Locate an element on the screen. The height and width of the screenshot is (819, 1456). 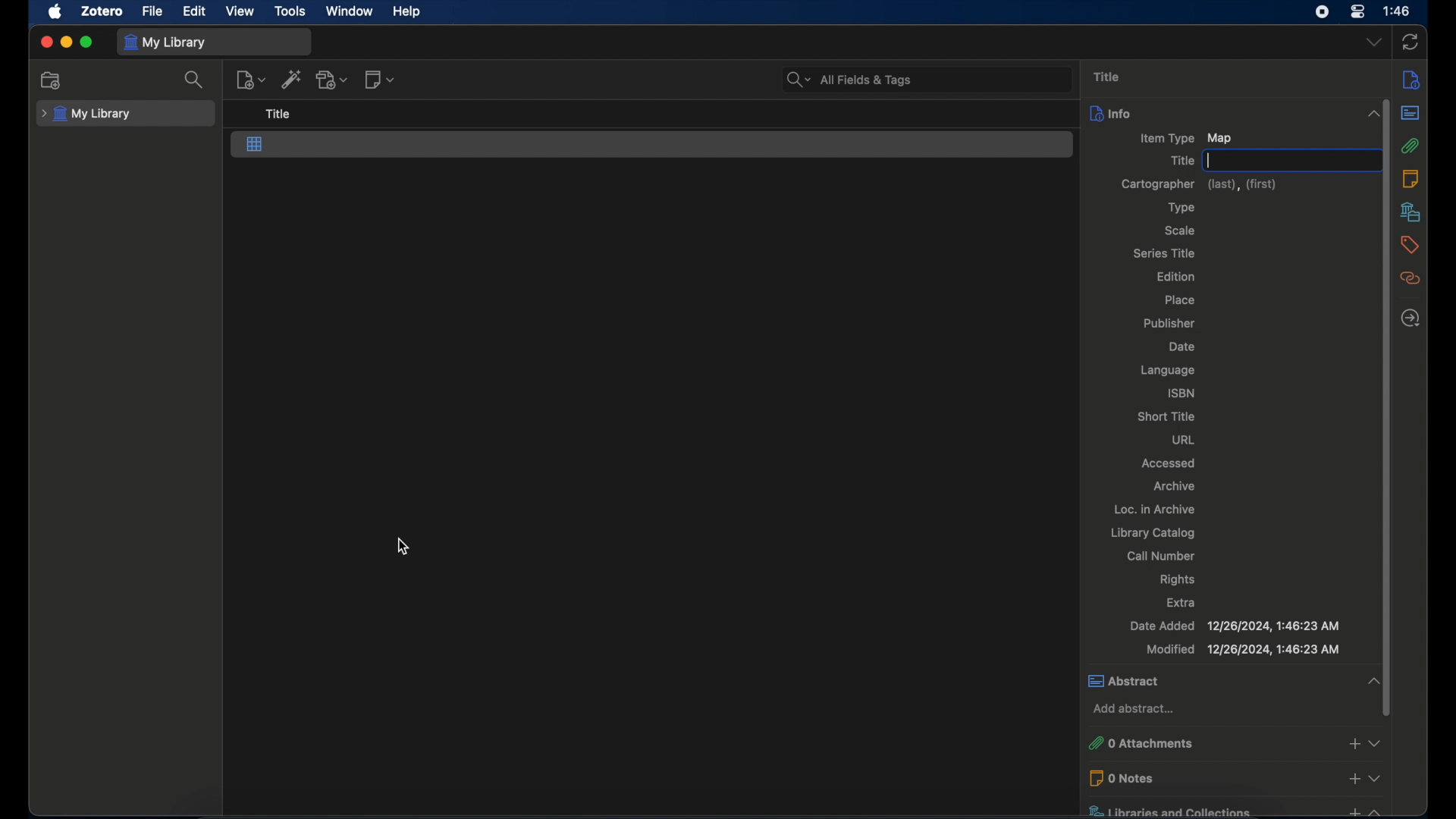
series title is located at coordinates (1164, 253).